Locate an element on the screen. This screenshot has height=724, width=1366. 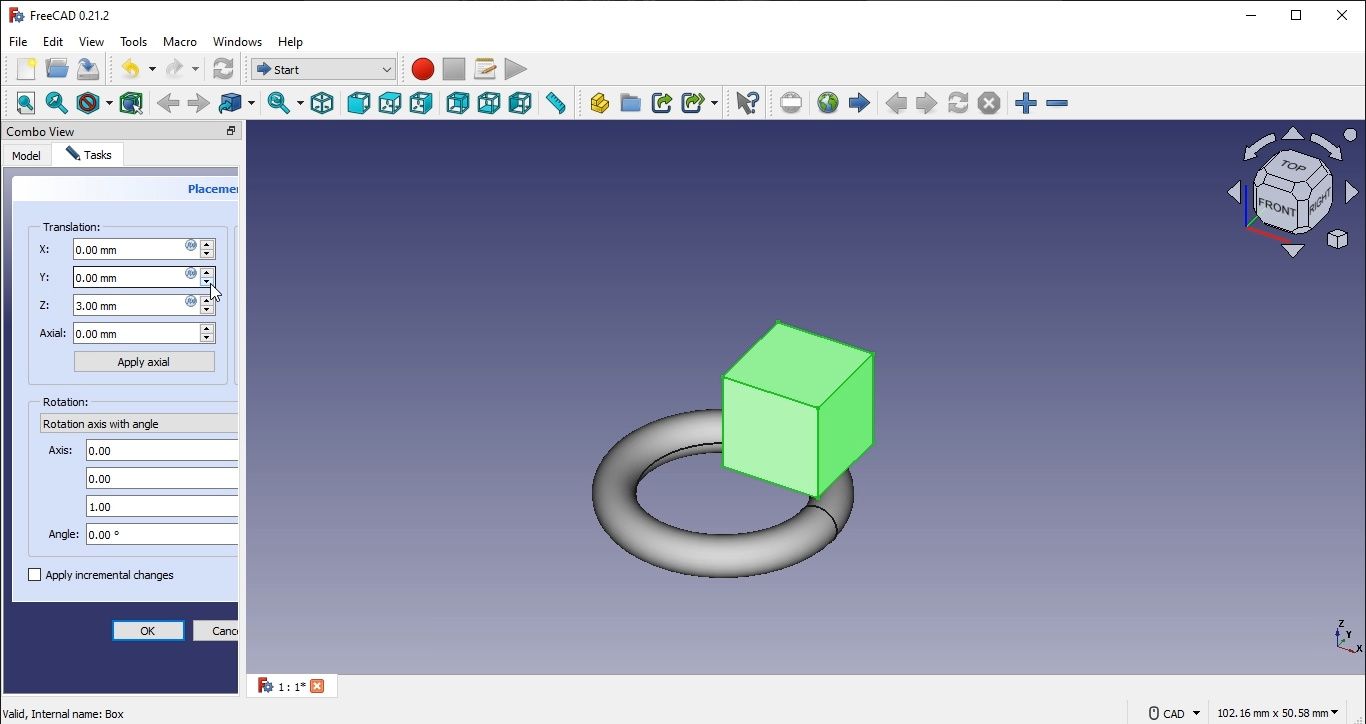
1 is located at coordinates (298, 687).